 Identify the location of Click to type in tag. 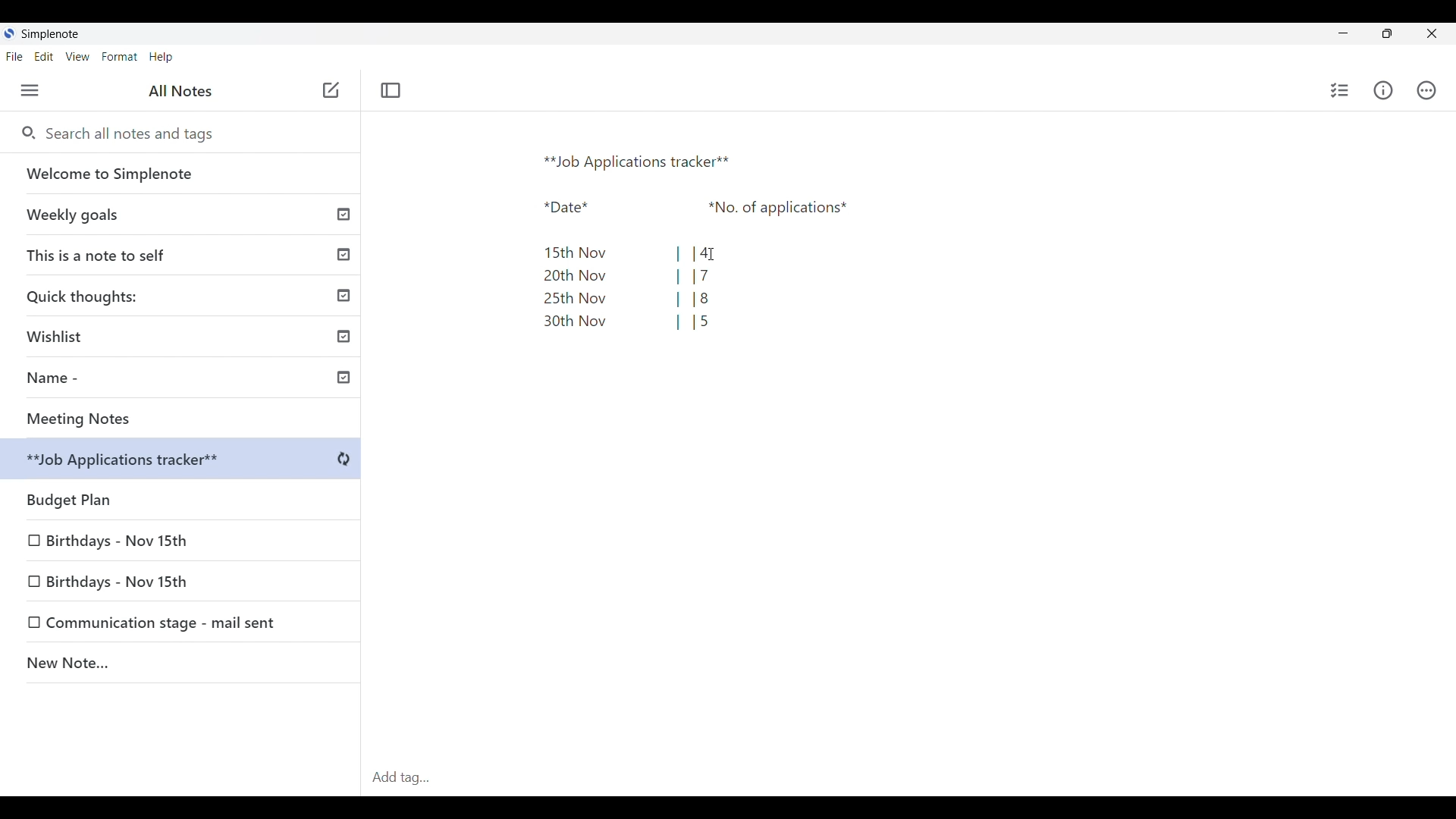
(908, 778).